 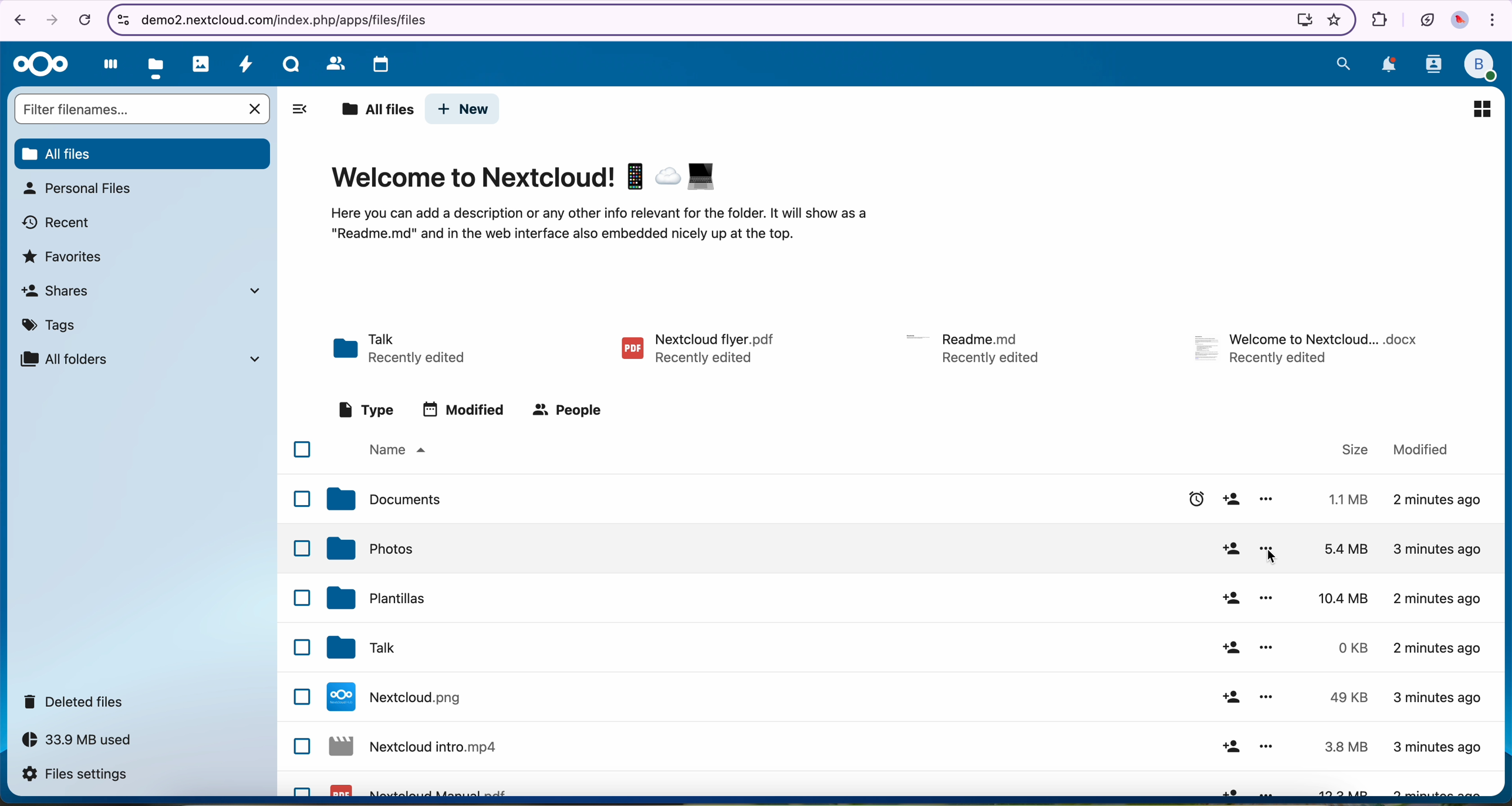 What do you see at coordinates (1346, 789) in the screenshot?
I see `13.3` at bounding box center [1346, 789].